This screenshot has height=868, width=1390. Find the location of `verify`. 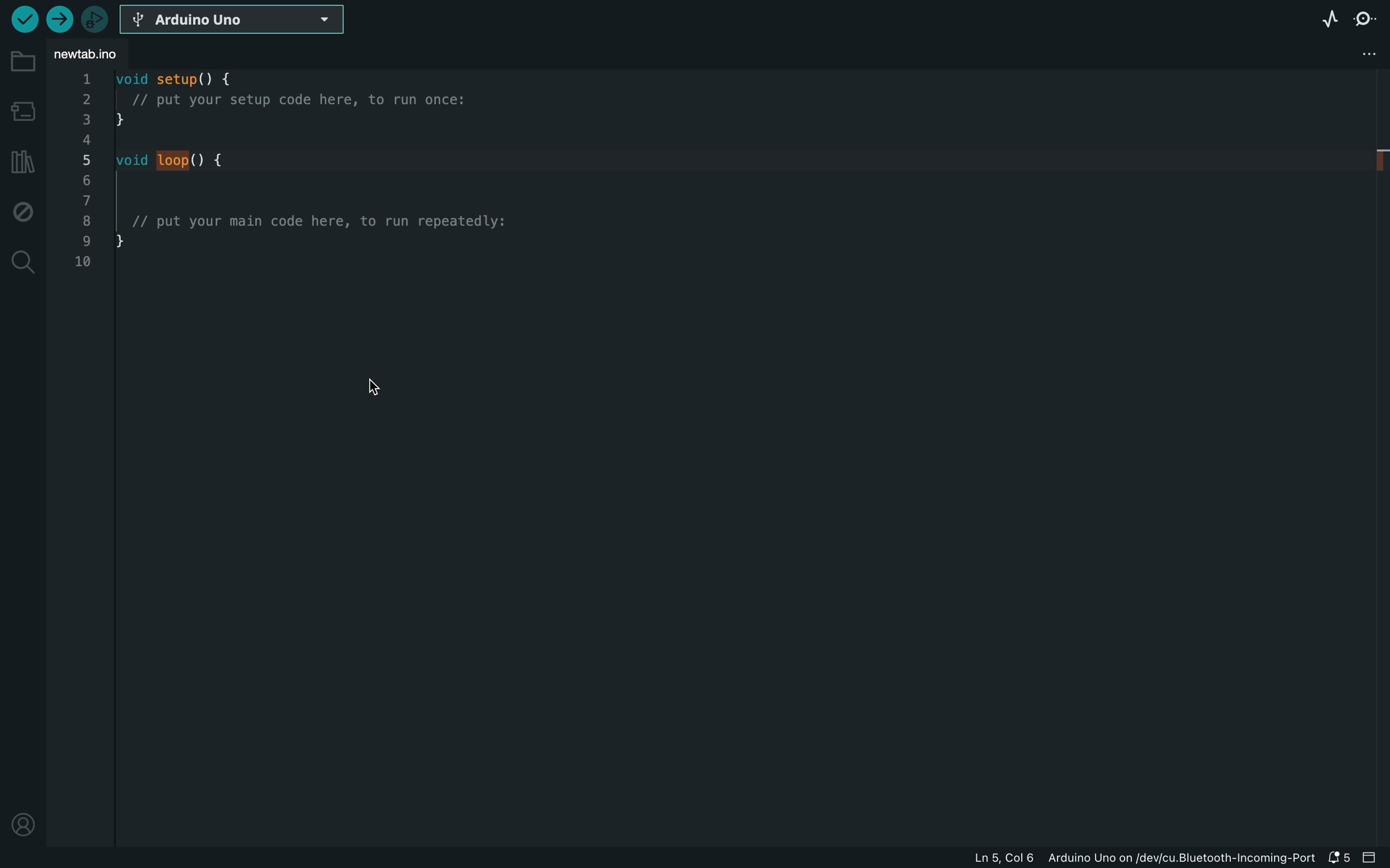

verify is located at coordinates (24, 18).